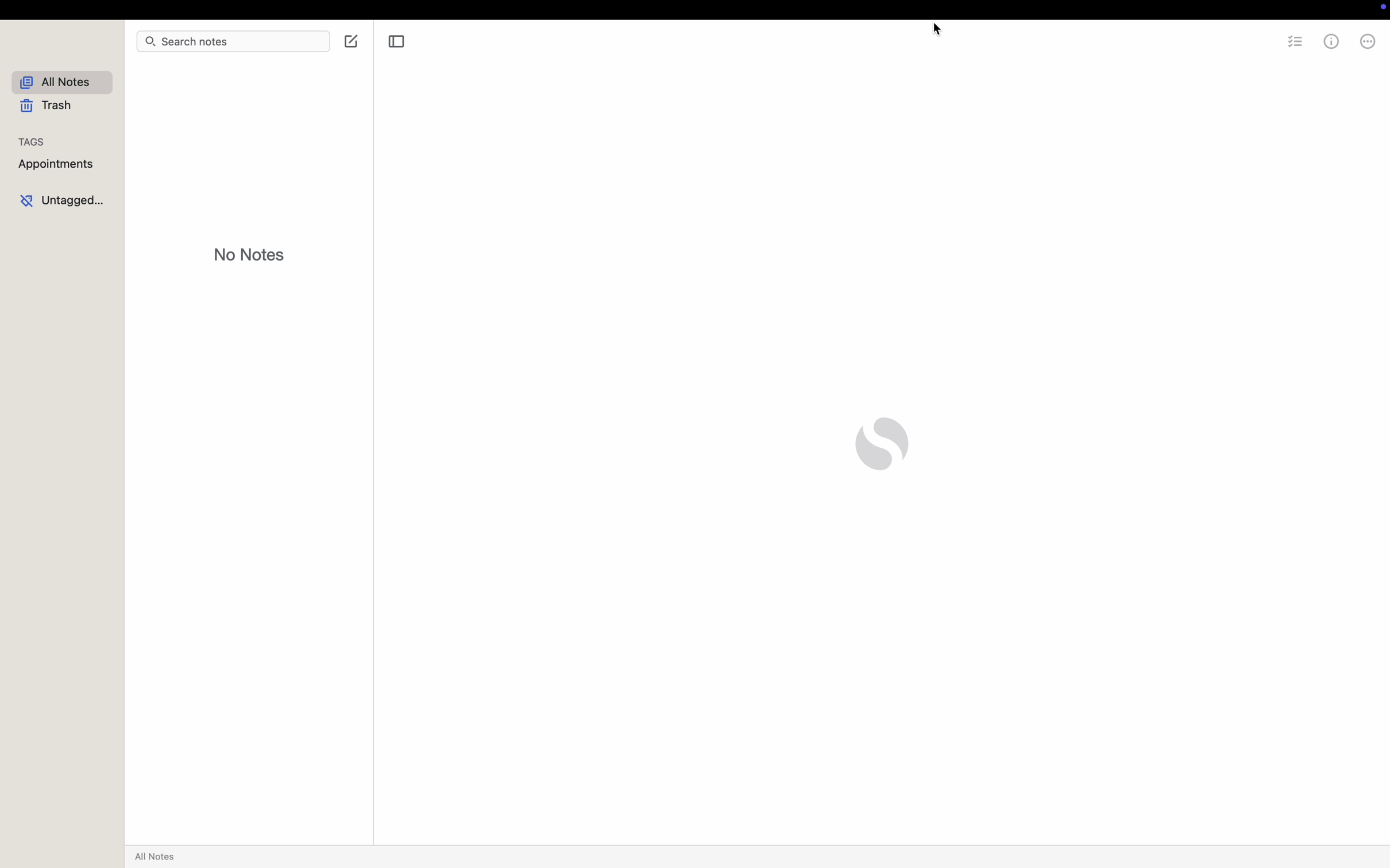 The image size is (1390, 868). I want to click on appointments, so click(58, 163).